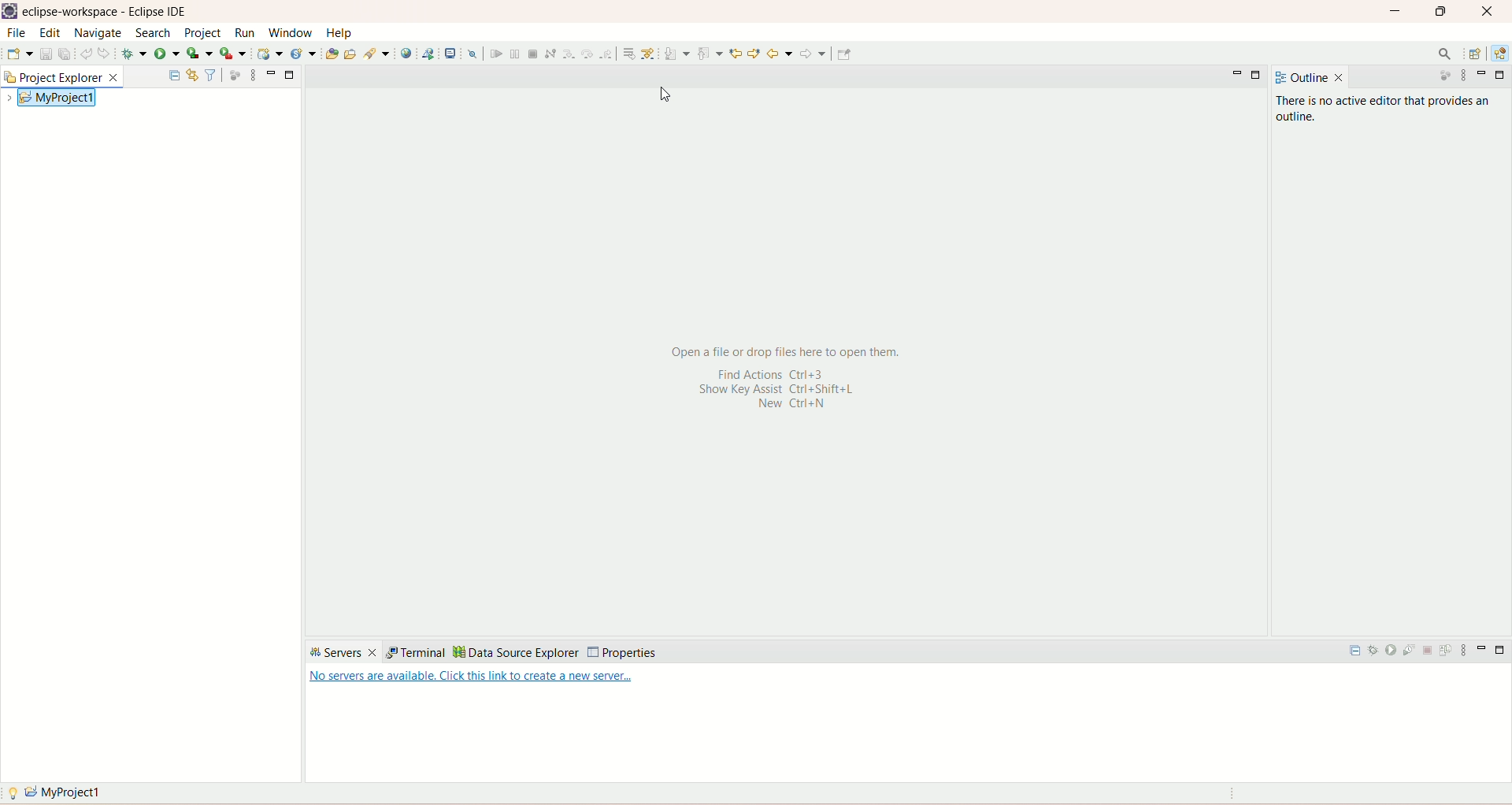  I want to click on eclipse-workspace-Eclipse IDE, so click(107, 12).